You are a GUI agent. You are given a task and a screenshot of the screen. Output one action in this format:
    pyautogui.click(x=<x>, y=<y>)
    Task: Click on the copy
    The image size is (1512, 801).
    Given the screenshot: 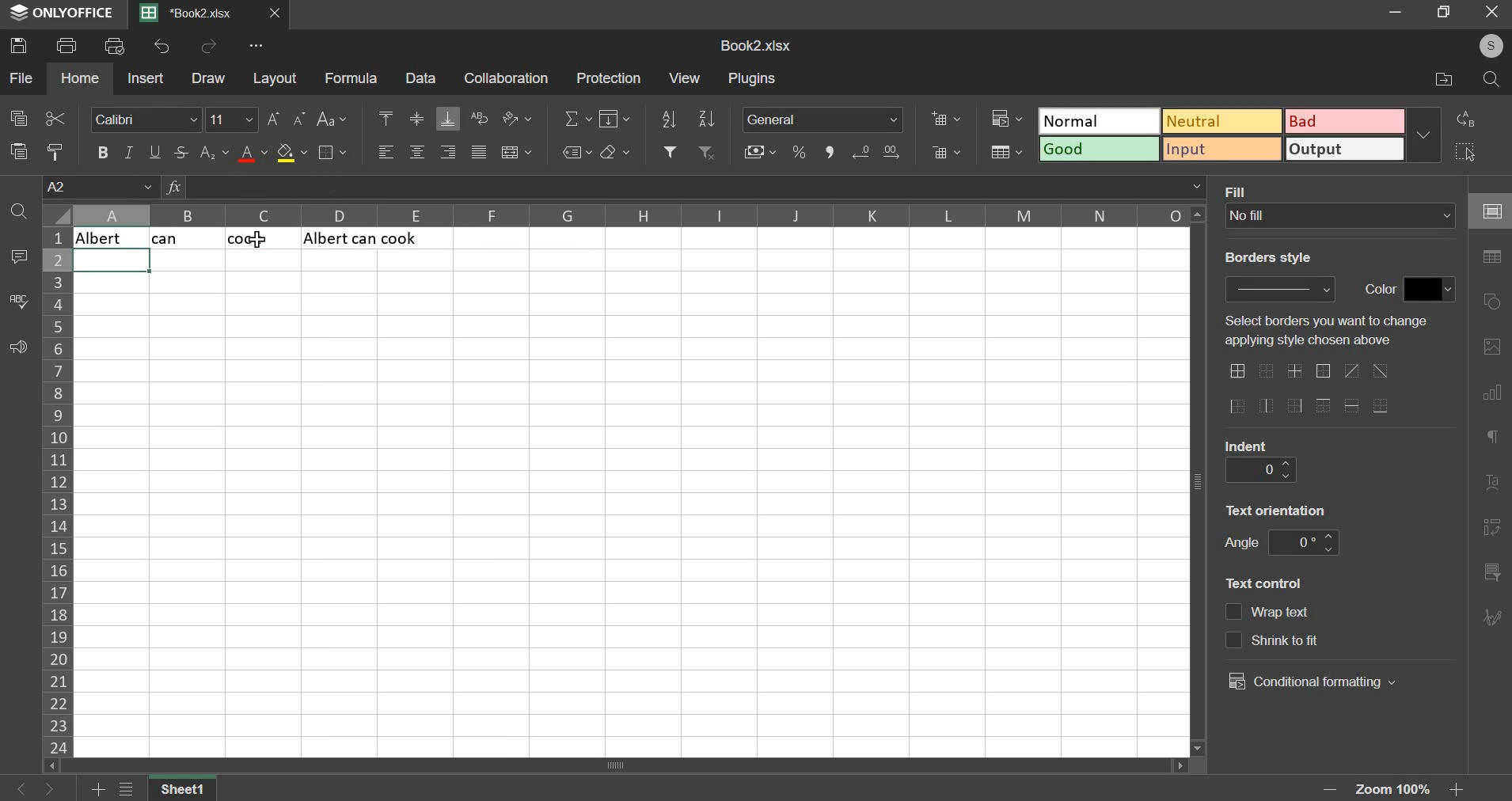 What is the action you would take?
    pyautogui.click(x=18, y=119)
    